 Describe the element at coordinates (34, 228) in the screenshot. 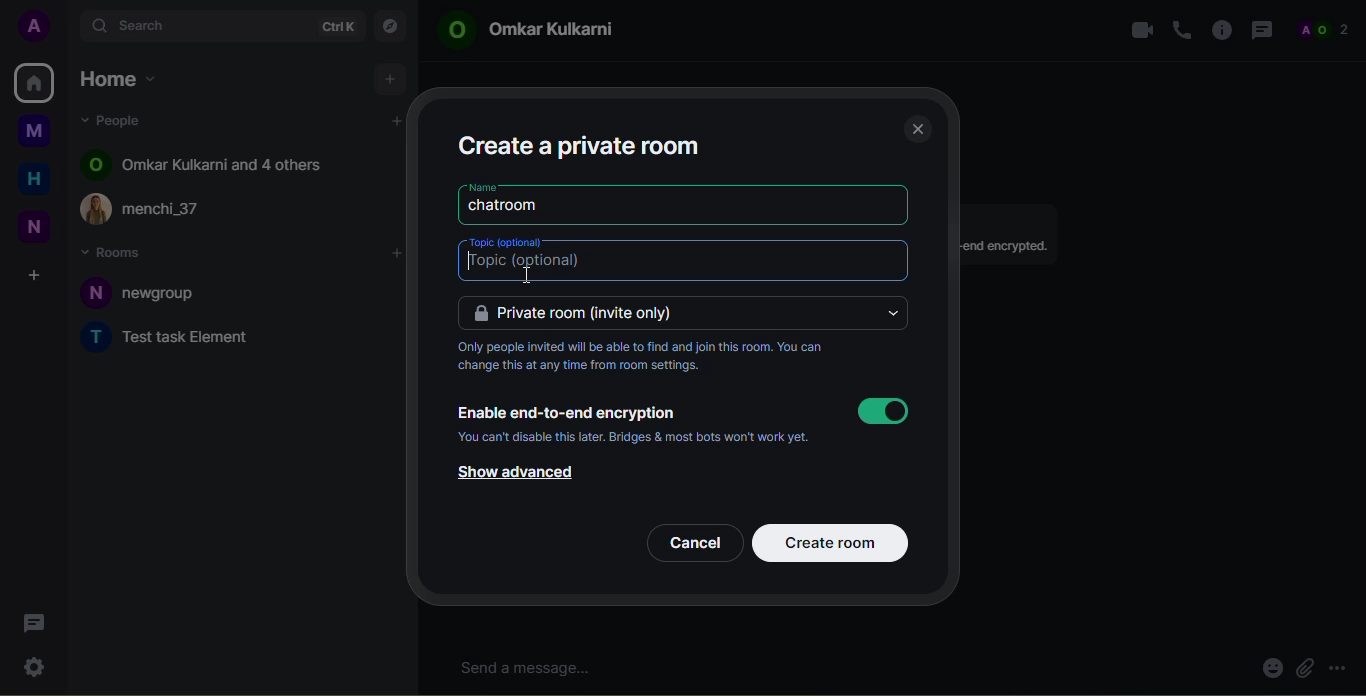

I see `new` at that location.